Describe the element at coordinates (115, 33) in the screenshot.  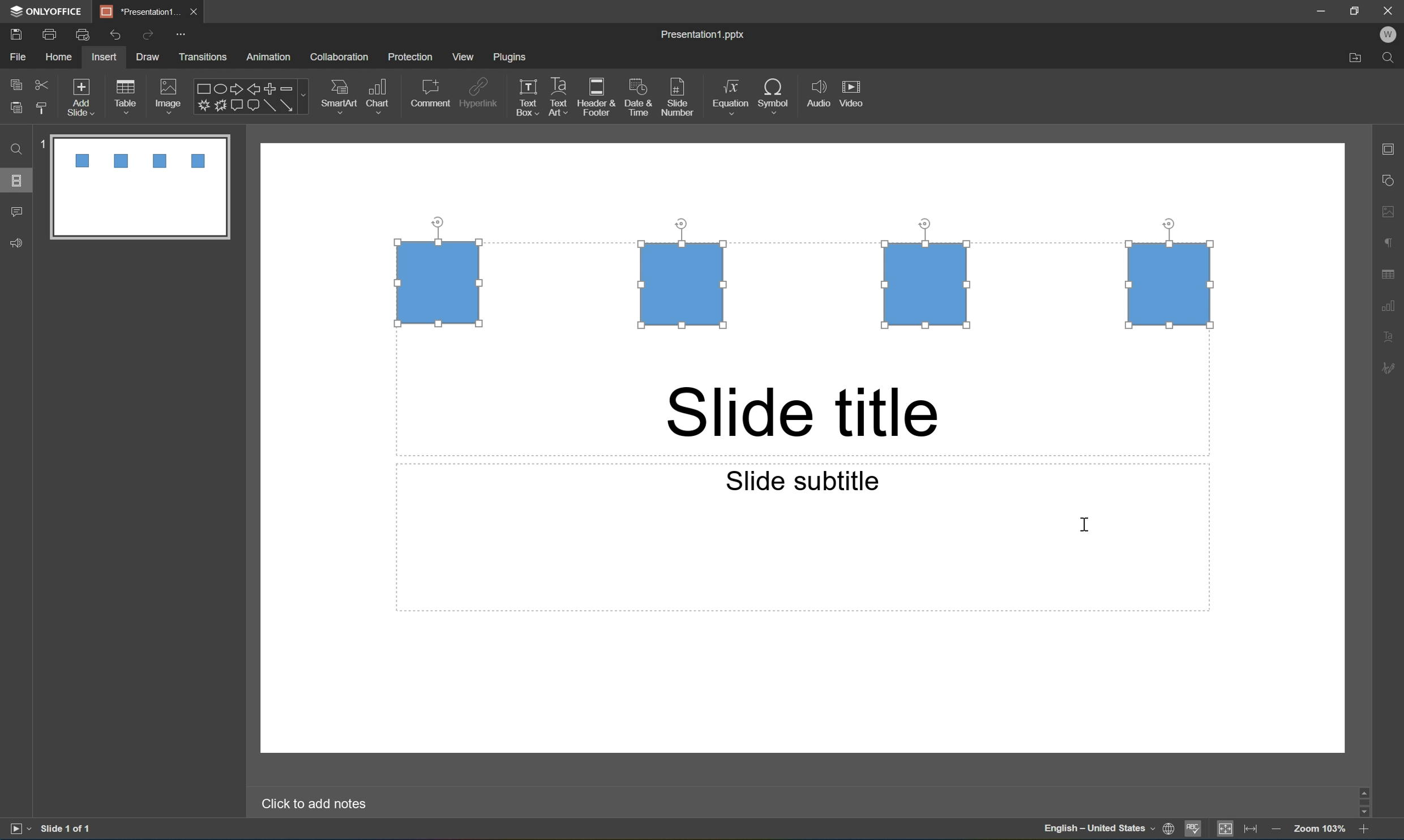
I see `Undo` at that location.